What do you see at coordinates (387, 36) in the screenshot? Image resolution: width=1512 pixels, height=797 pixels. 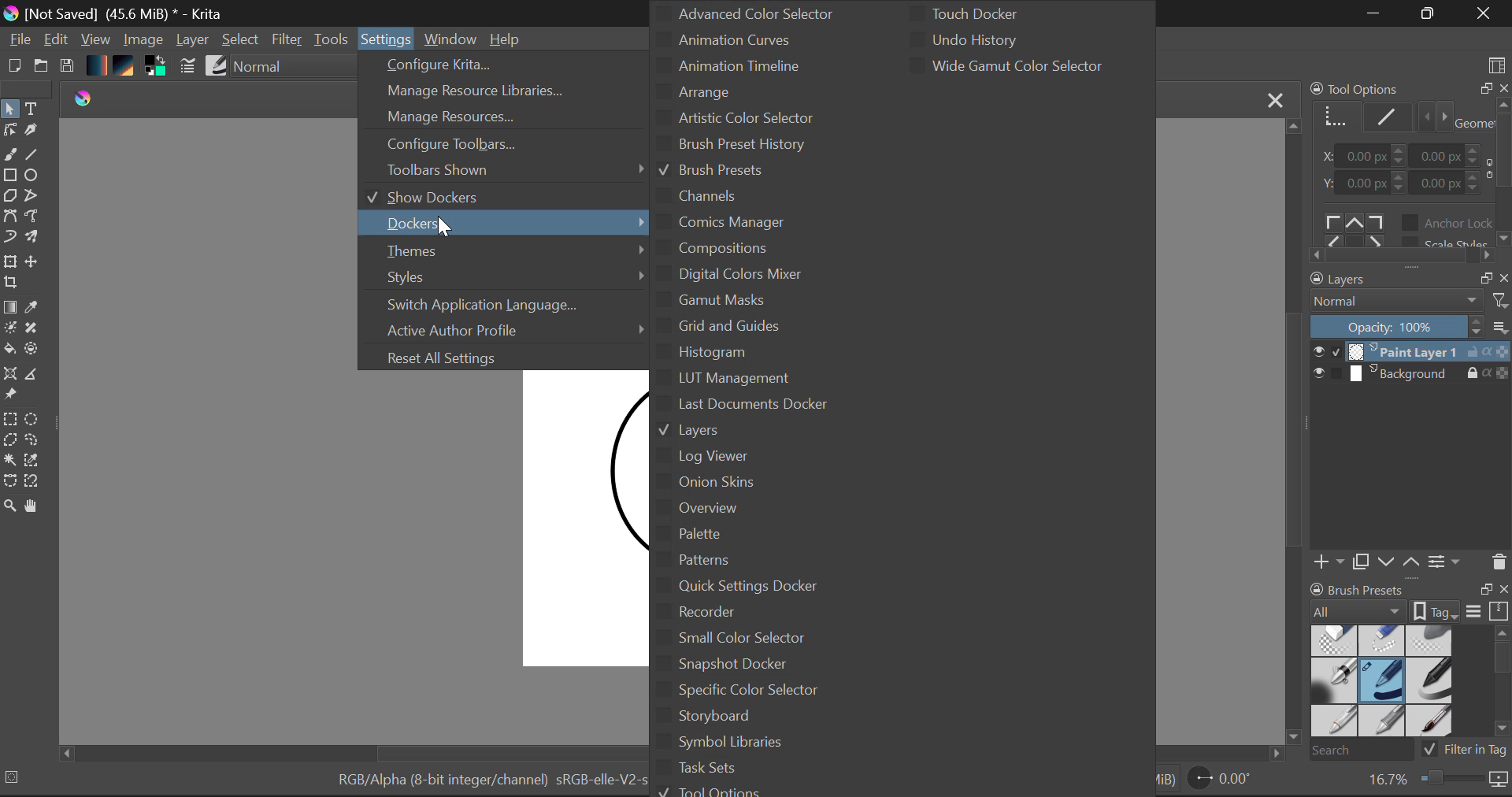 I see `Settings Menu Open` at bounding box center [387, 36].